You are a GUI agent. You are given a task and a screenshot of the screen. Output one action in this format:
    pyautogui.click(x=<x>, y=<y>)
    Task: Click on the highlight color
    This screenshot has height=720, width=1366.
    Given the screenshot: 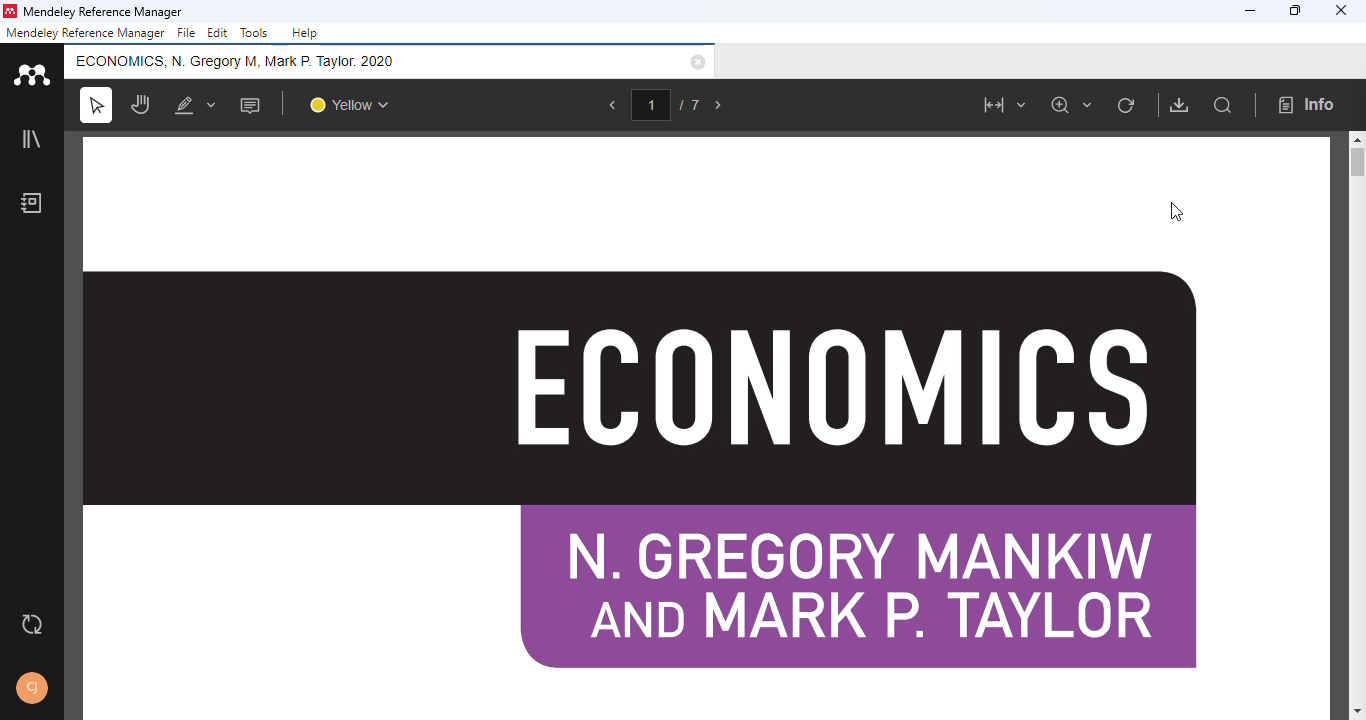 What is the action you would take?
    pyautogui.click(x=349, y=104)
    